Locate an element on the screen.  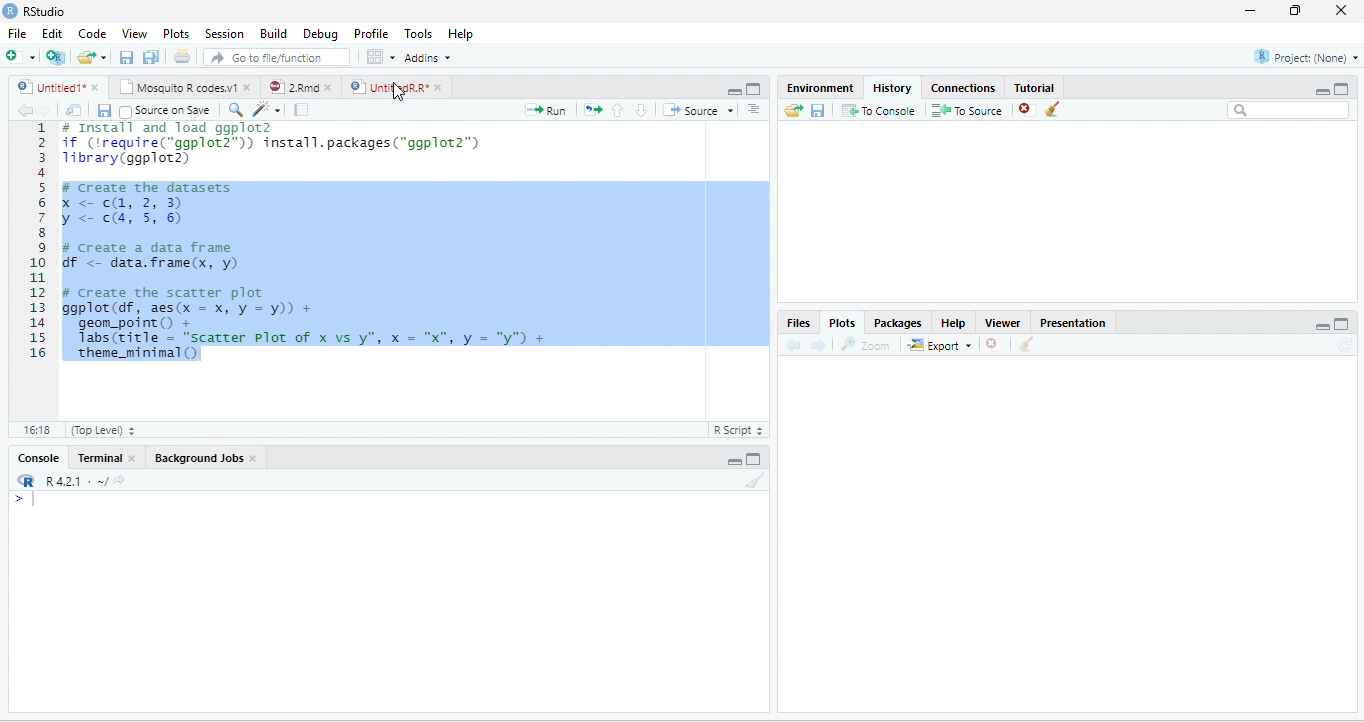
Help is located at coordinates (462, 33).